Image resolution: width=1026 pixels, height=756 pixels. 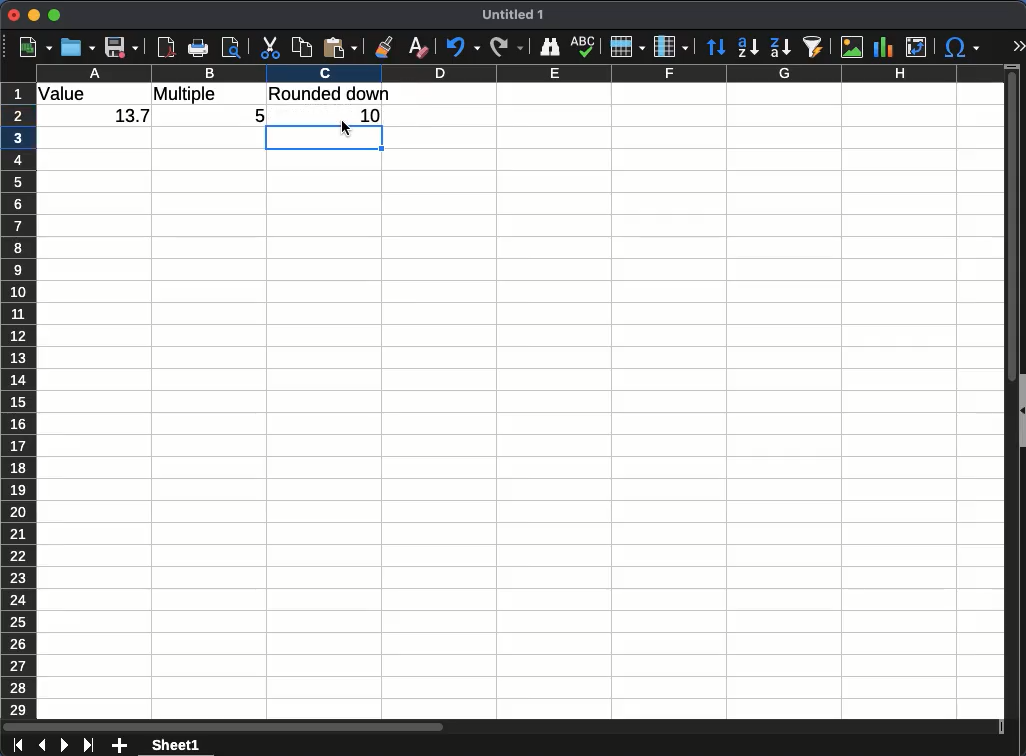 I want to click on open, so click(x=78, y=47).